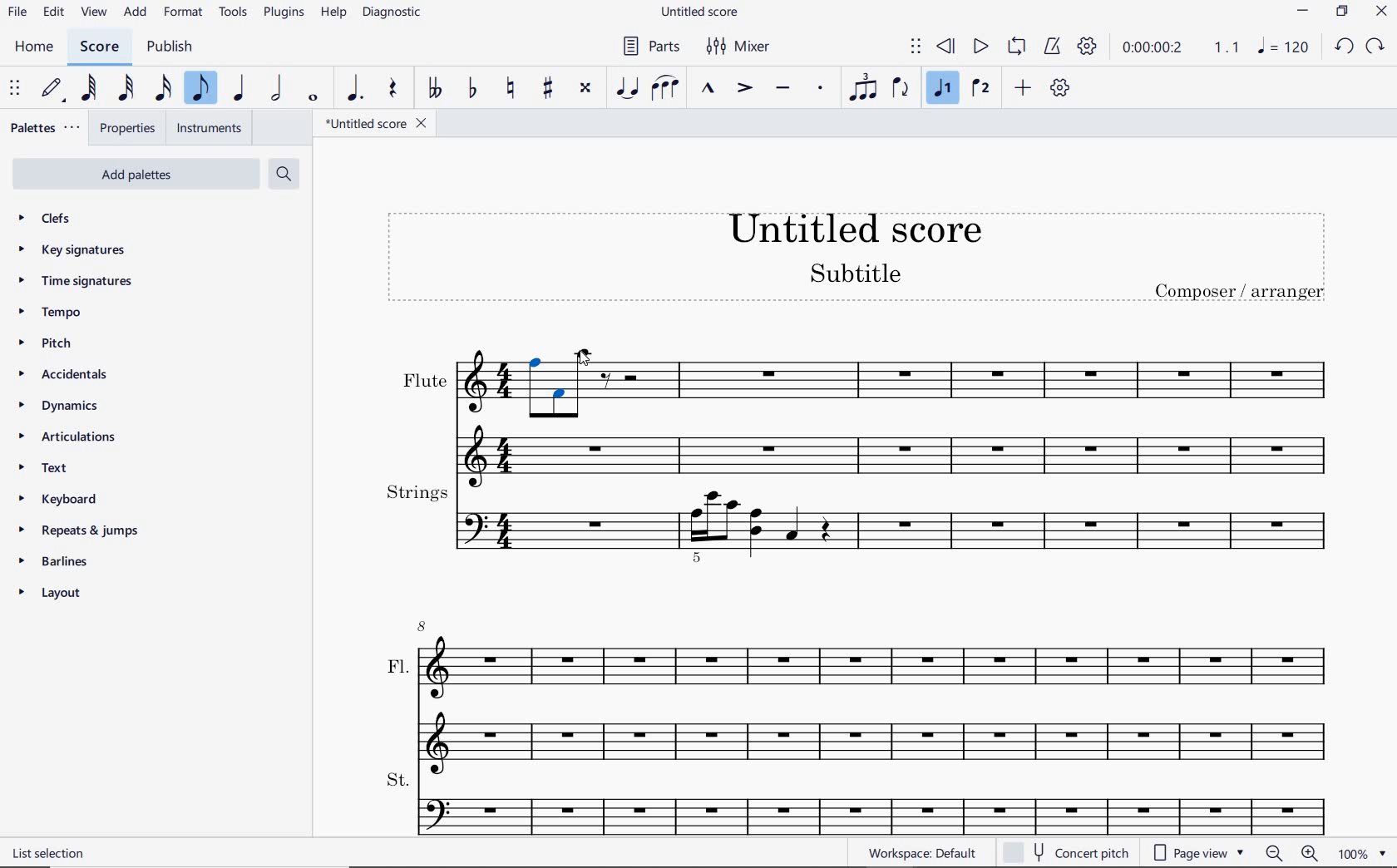 This screenshot has height=868, width=1397. I want to click on search palettes, so click(284, 173).